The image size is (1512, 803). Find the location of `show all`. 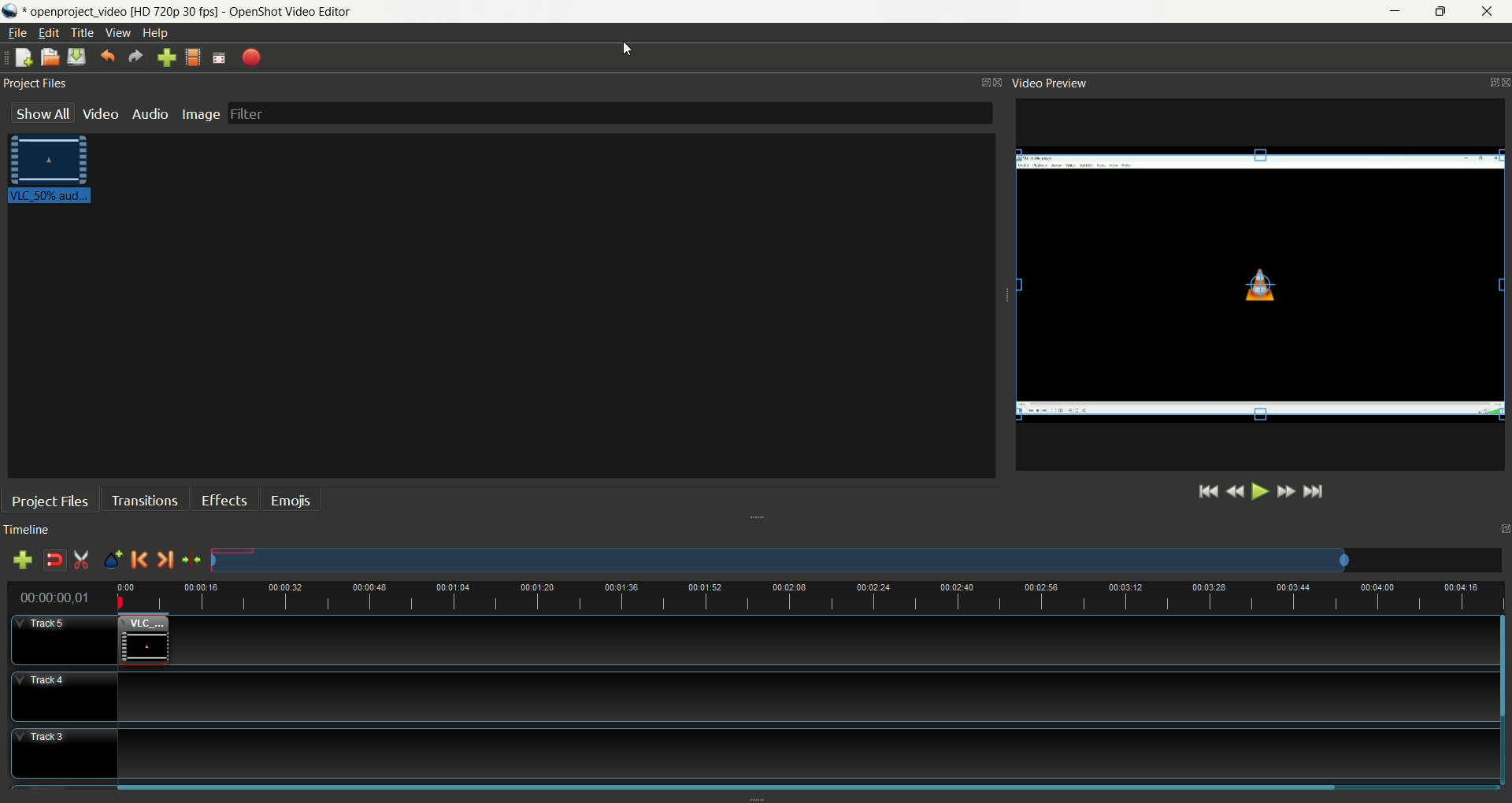

show all is located at coordinates (36, 113).